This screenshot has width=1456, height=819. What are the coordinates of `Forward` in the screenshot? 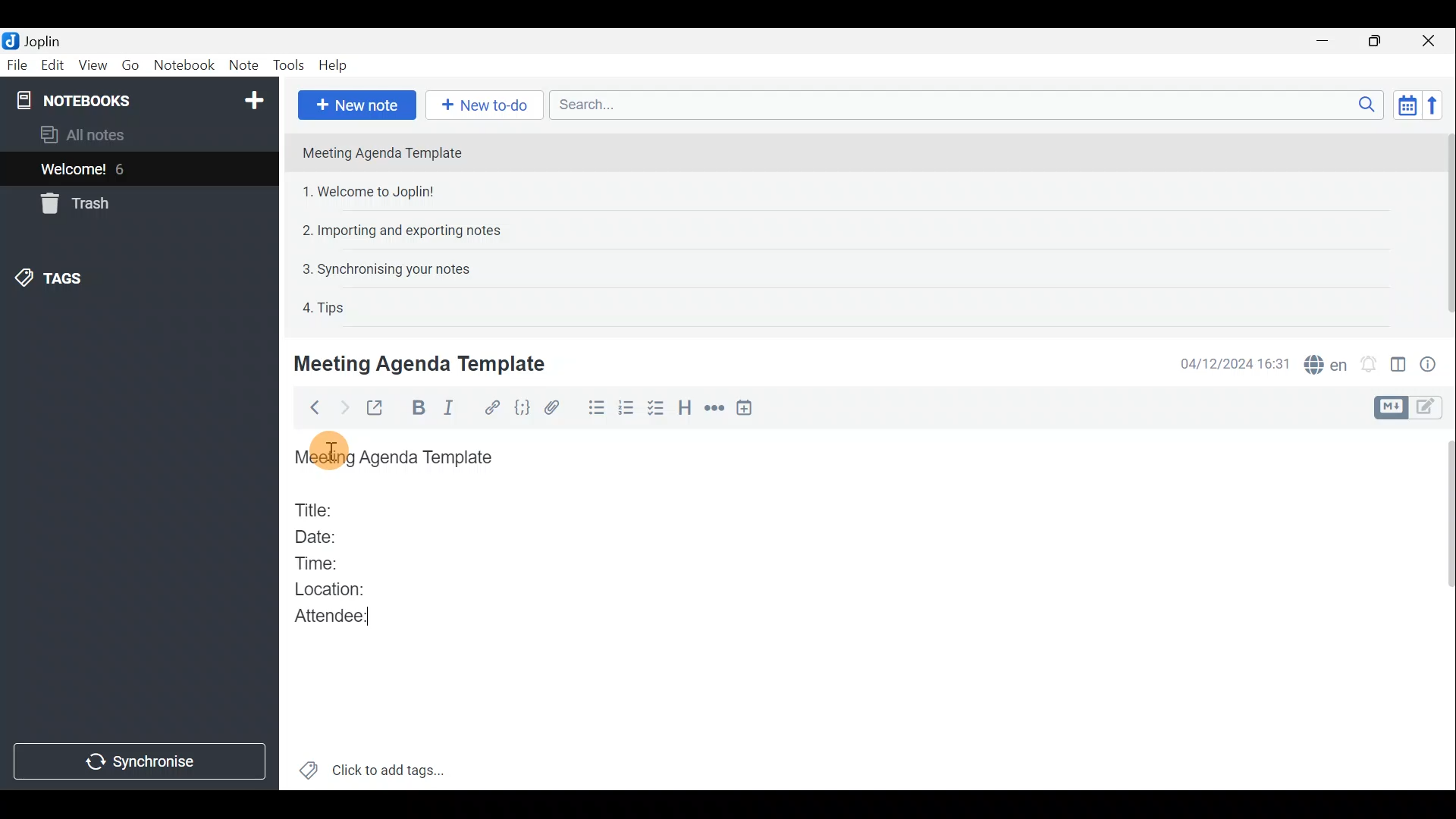 It's located at (342, 407).